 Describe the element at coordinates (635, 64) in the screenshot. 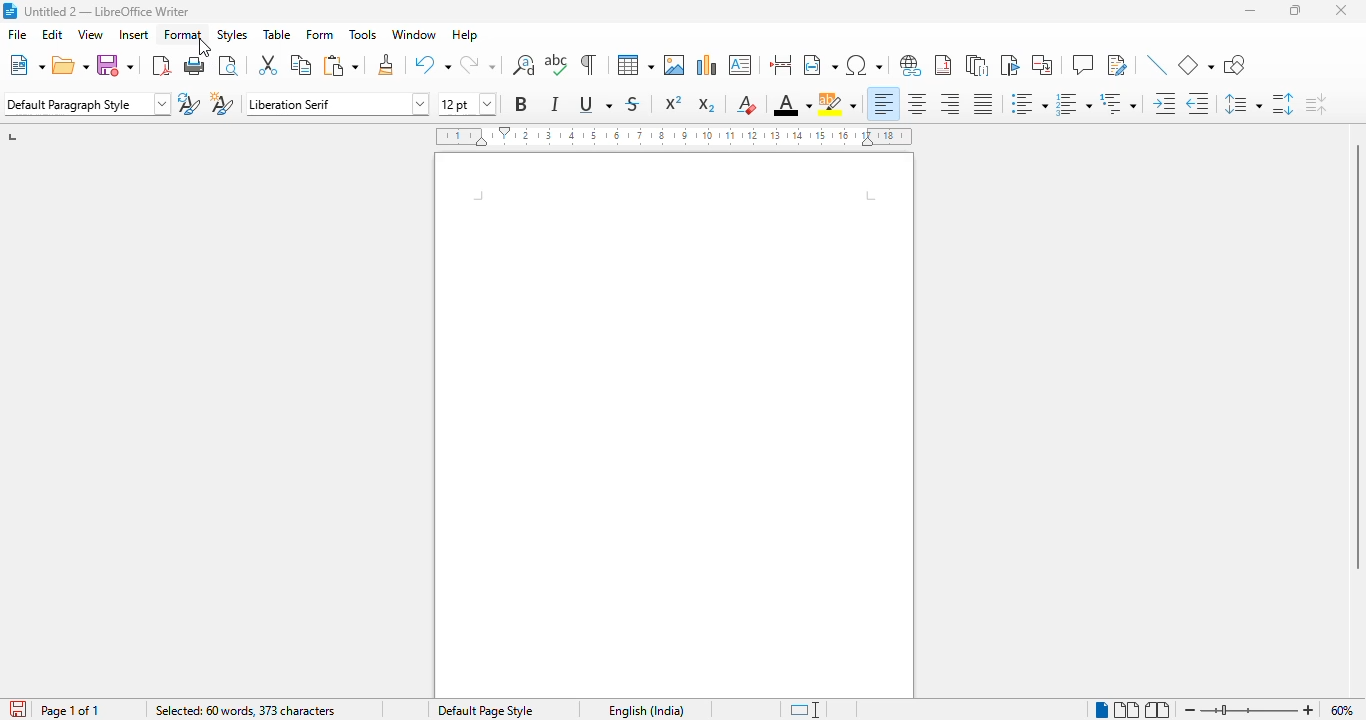

I see `table` at that location.